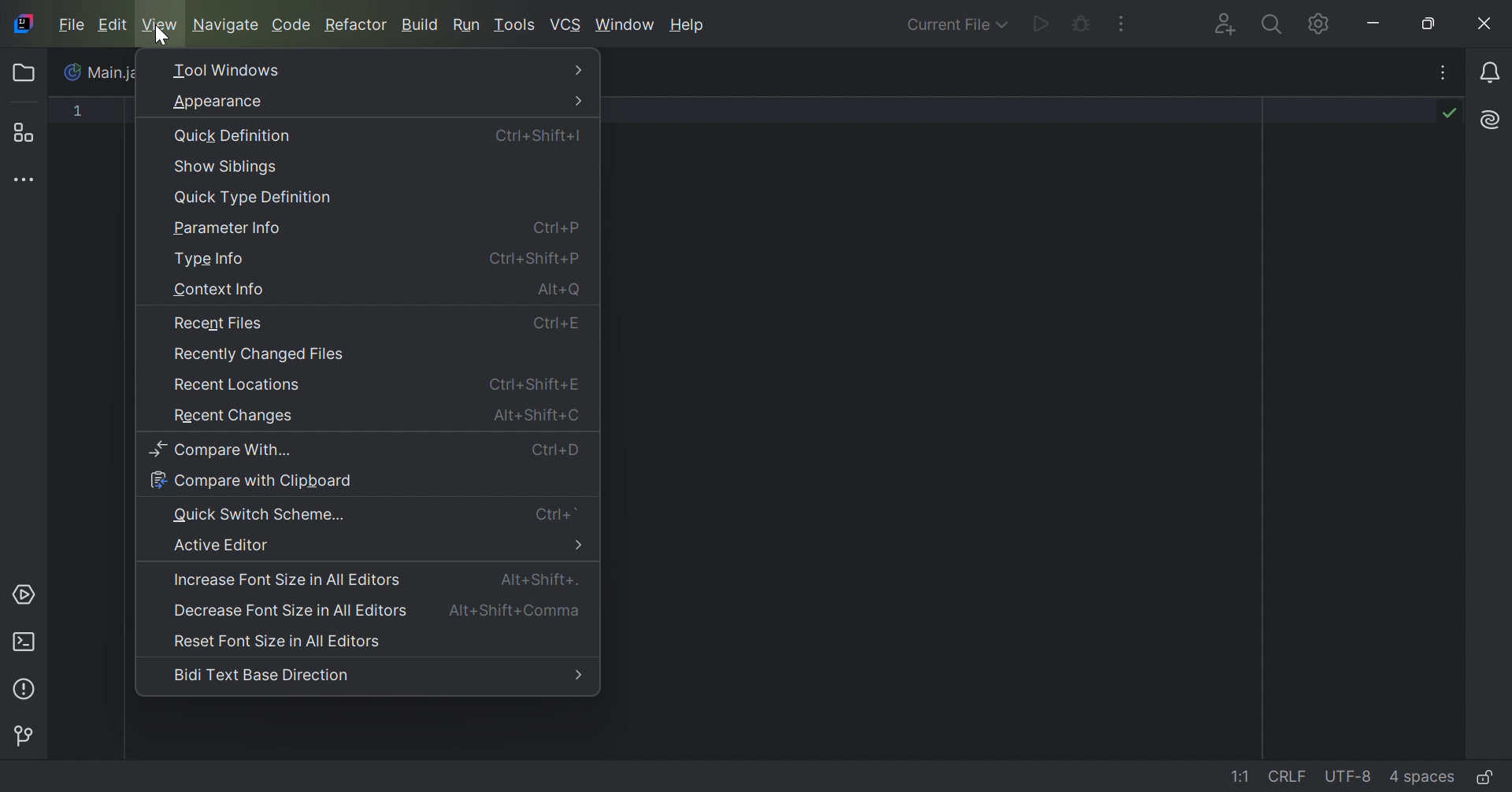 Image resolution: width=1512 pixels, height=792 pixels. Describe the element at coordinates (287, 609) in the screenshot. I see `Decrease Font Size in All Editors` at that location.